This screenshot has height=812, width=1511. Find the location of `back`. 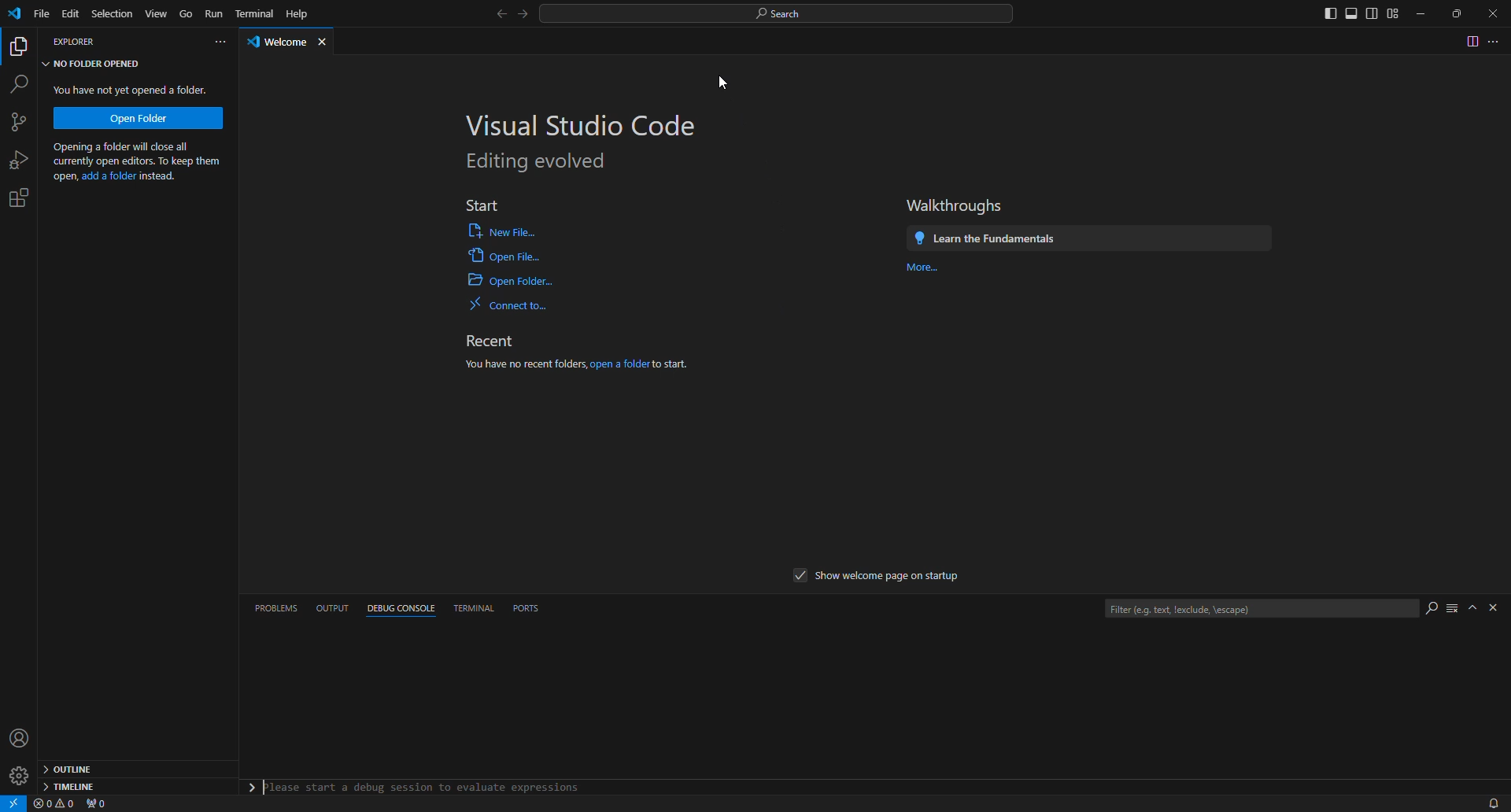

back is located at coordinates (492, 16).